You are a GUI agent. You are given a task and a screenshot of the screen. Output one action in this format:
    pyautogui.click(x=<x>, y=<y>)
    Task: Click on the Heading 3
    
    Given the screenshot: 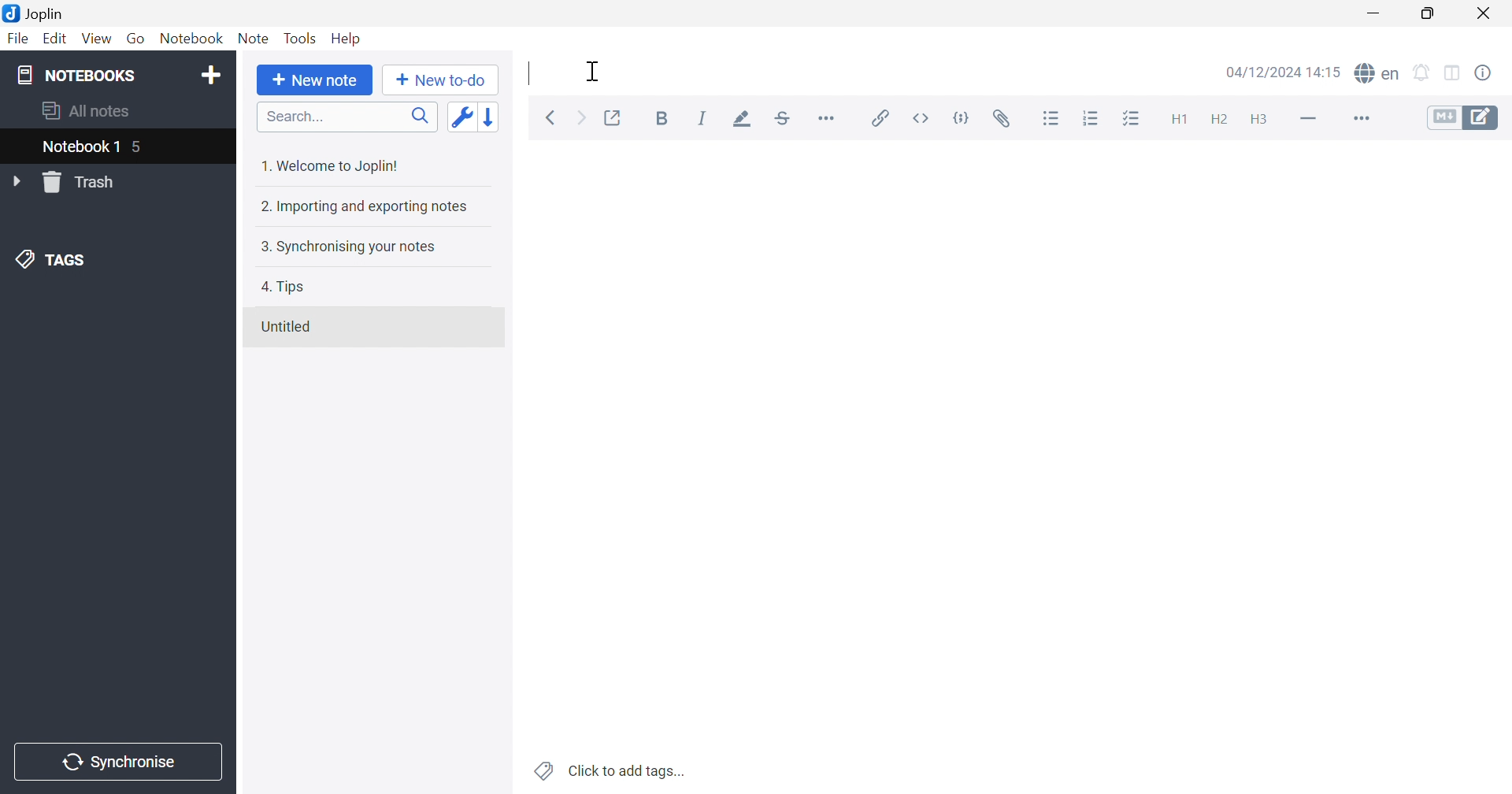 What is the action you would take?
    pyautogui.click(x=1258, y=121)
    